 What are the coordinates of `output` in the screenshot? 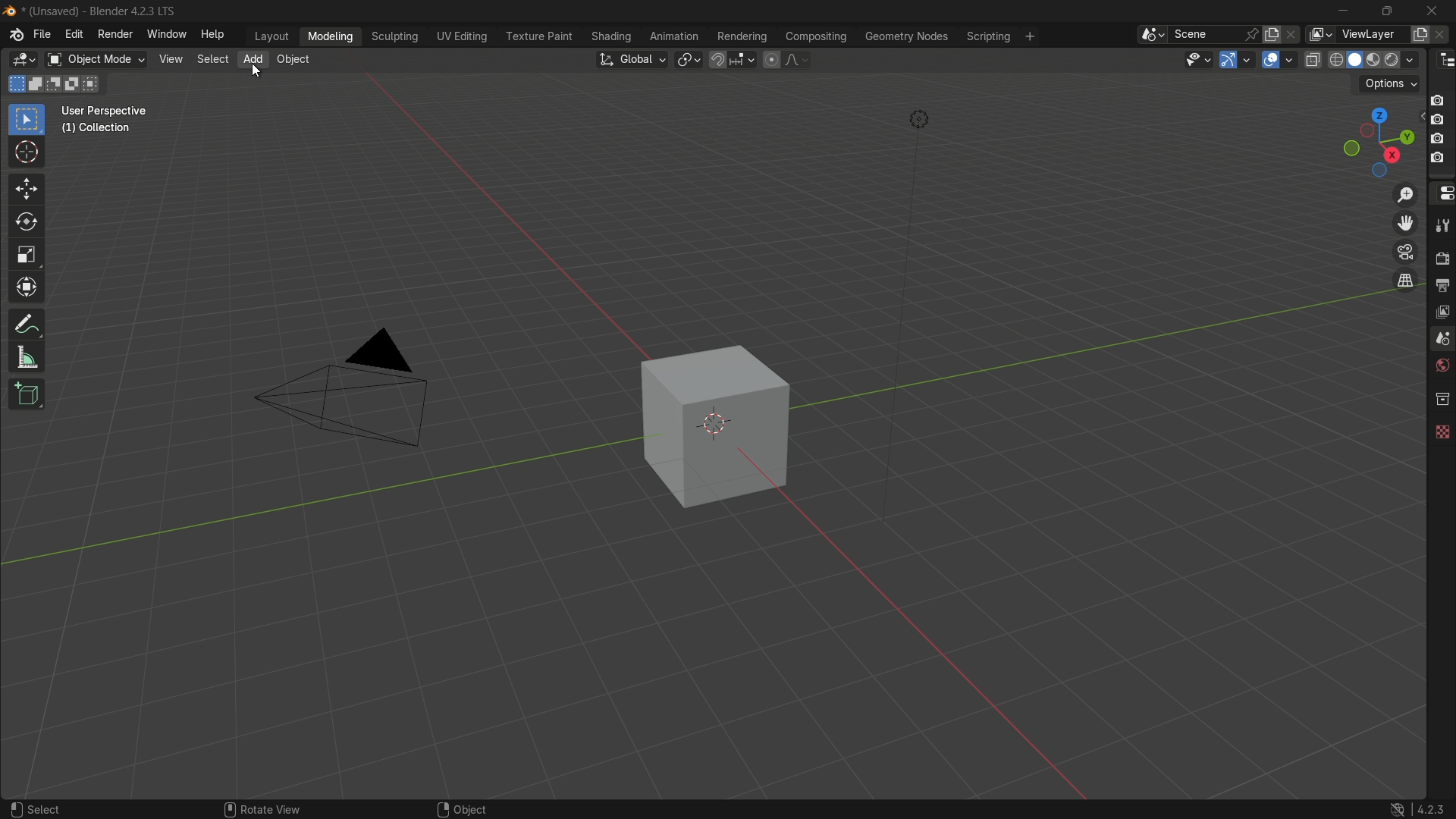 It's located at (1442, 284).